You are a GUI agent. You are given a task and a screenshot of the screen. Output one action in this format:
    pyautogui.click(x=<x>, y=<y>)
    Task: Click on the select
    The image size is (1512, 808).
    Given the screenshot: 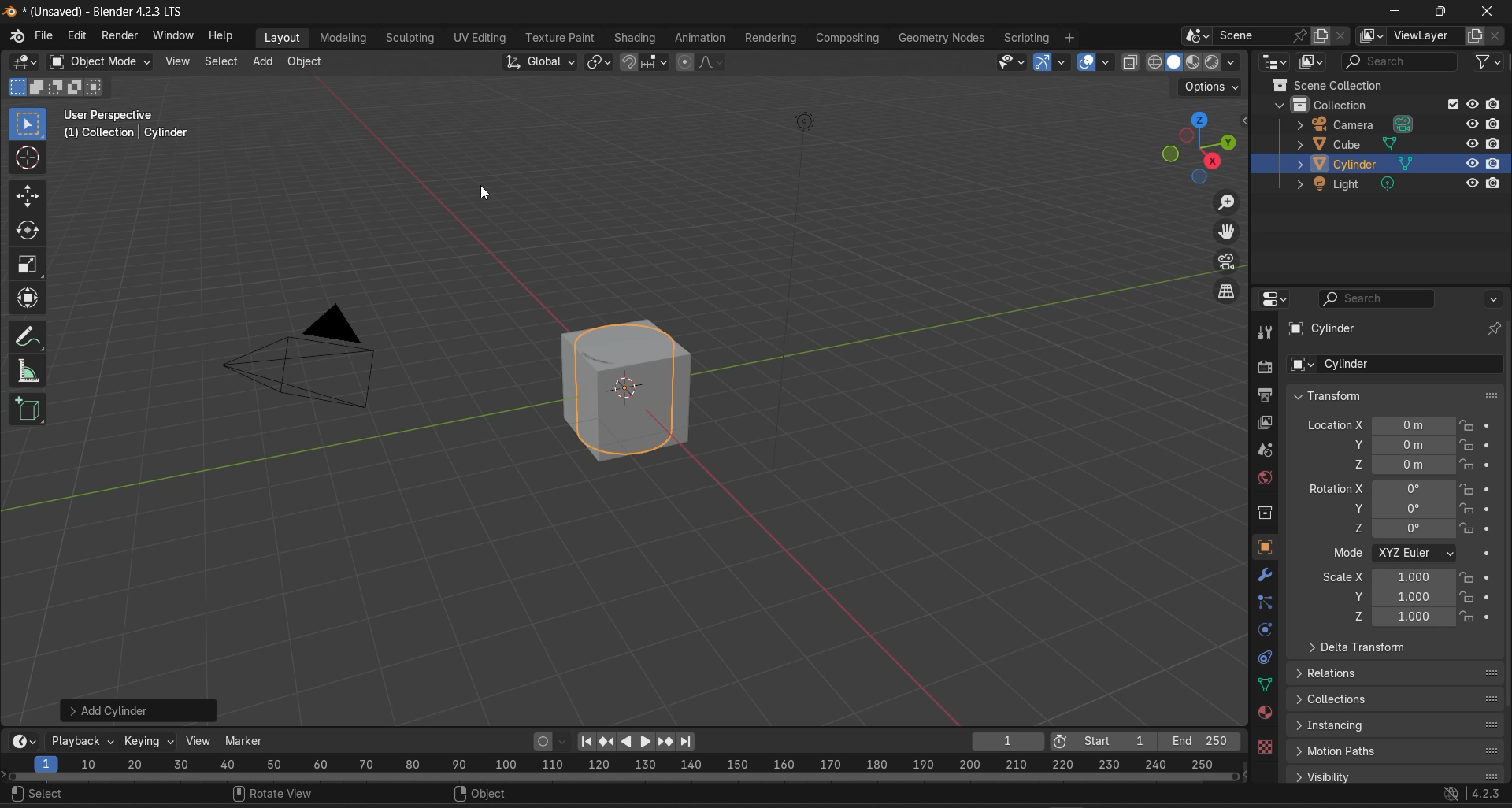 What is the action you would take?
    pyautogui.click(x=222, y=61)
    